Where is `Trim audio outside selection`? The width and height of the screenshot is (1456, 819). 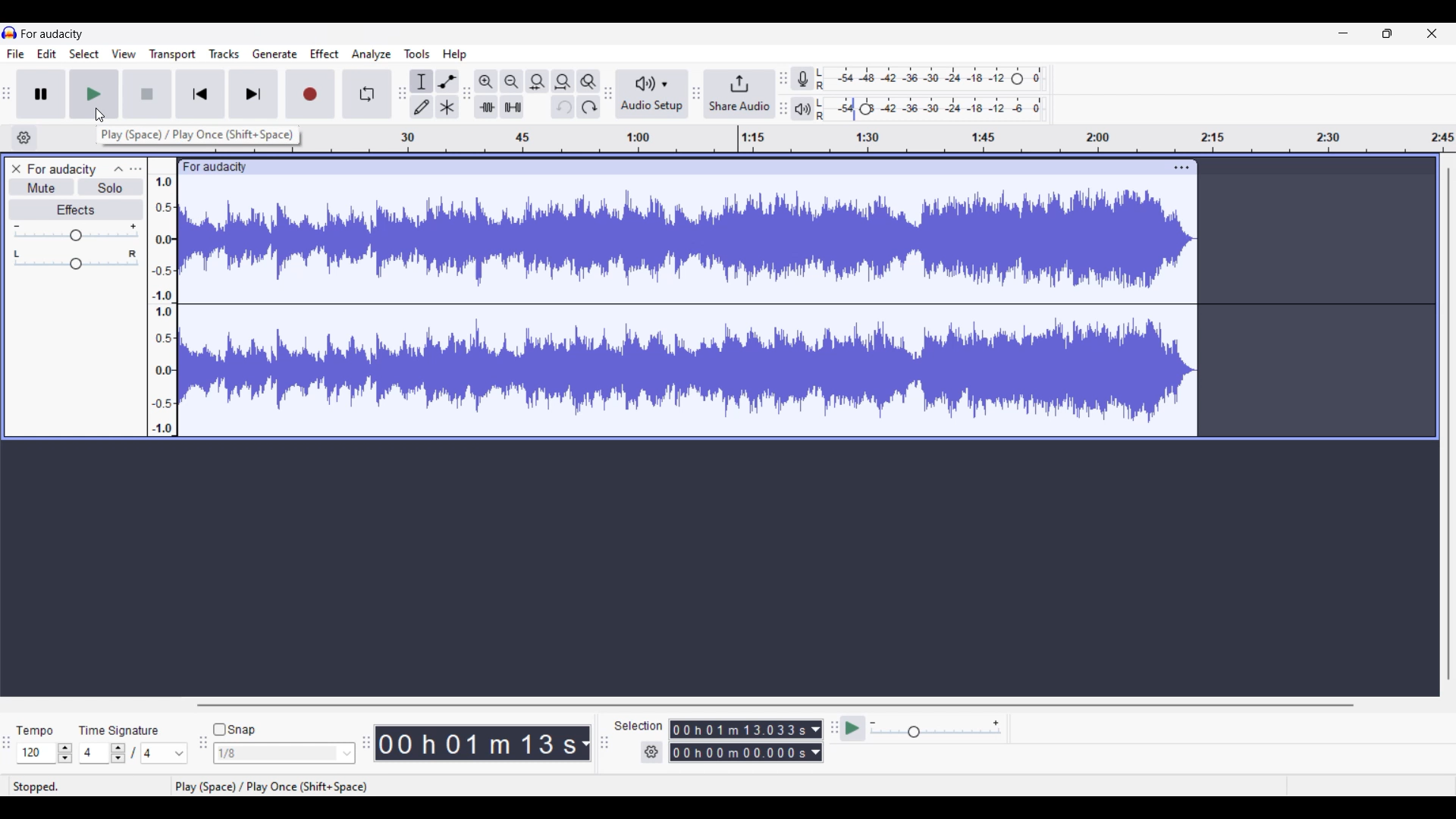 Trim audio outside selection is located at coordinates (486, 107).